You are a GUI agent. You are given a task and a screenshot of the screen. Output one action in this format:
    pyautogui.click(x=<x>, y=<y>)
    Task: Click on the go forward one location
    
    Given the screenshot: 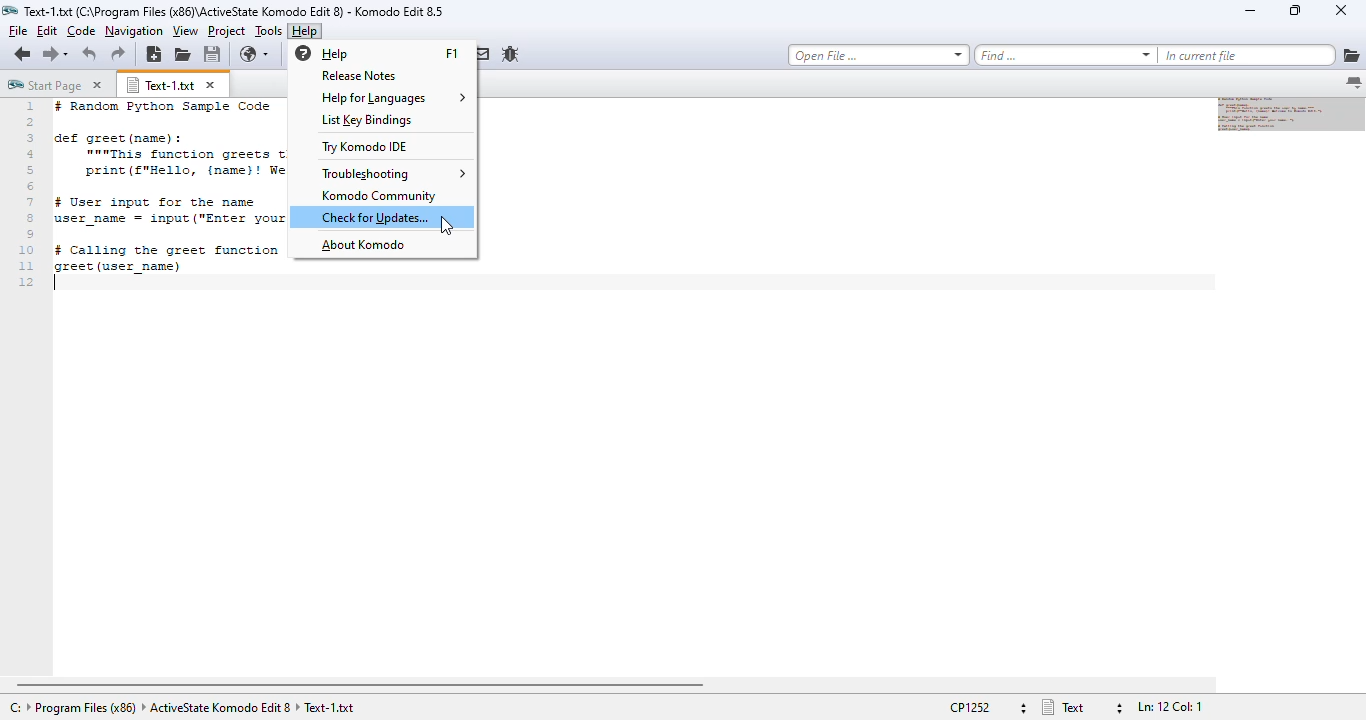 What is the action you would take?
    pyautogui.click(x=49, y=53)
    